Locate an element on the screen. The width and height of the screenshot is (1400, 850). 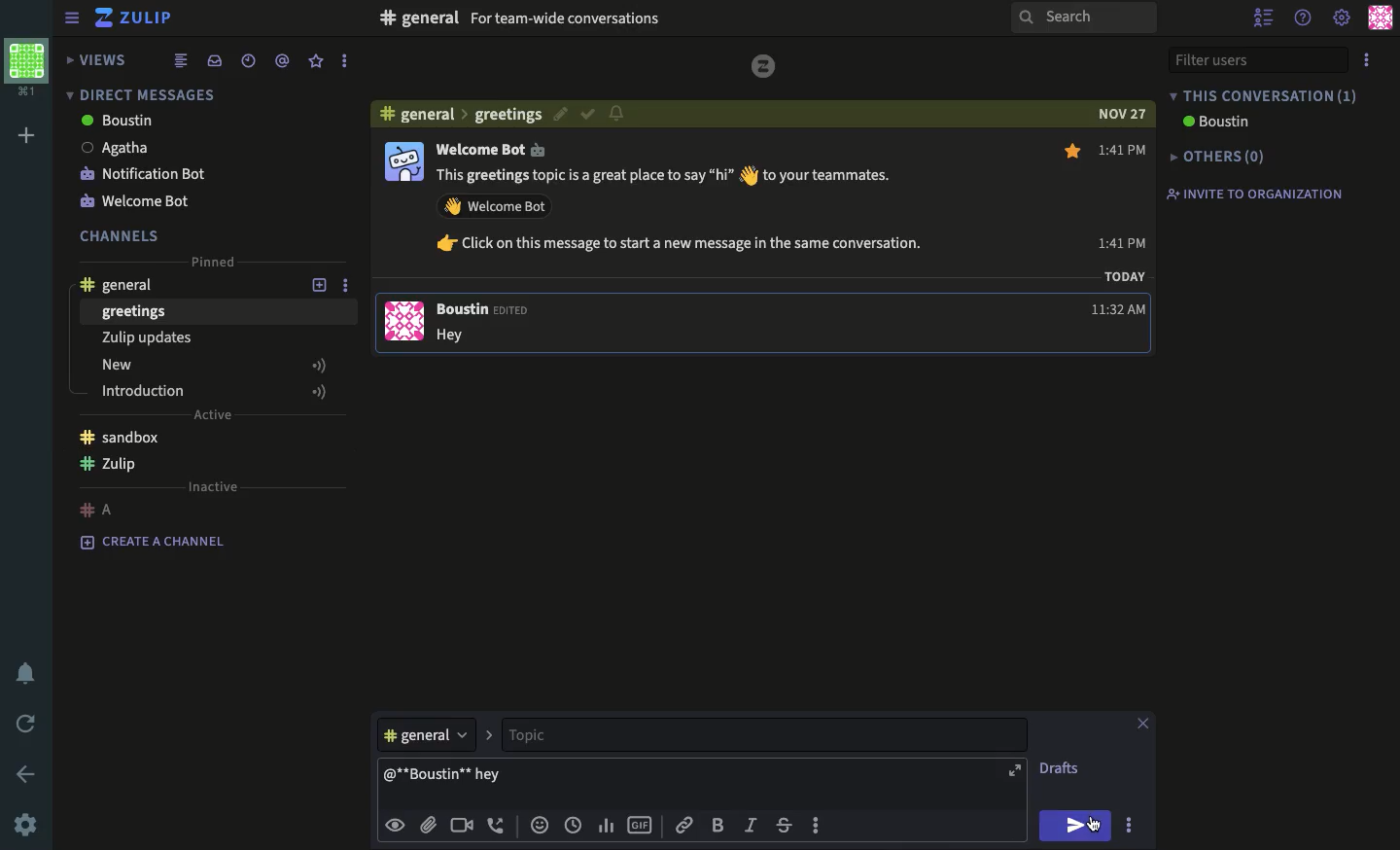
pinned is located at coordinates (209, 261).